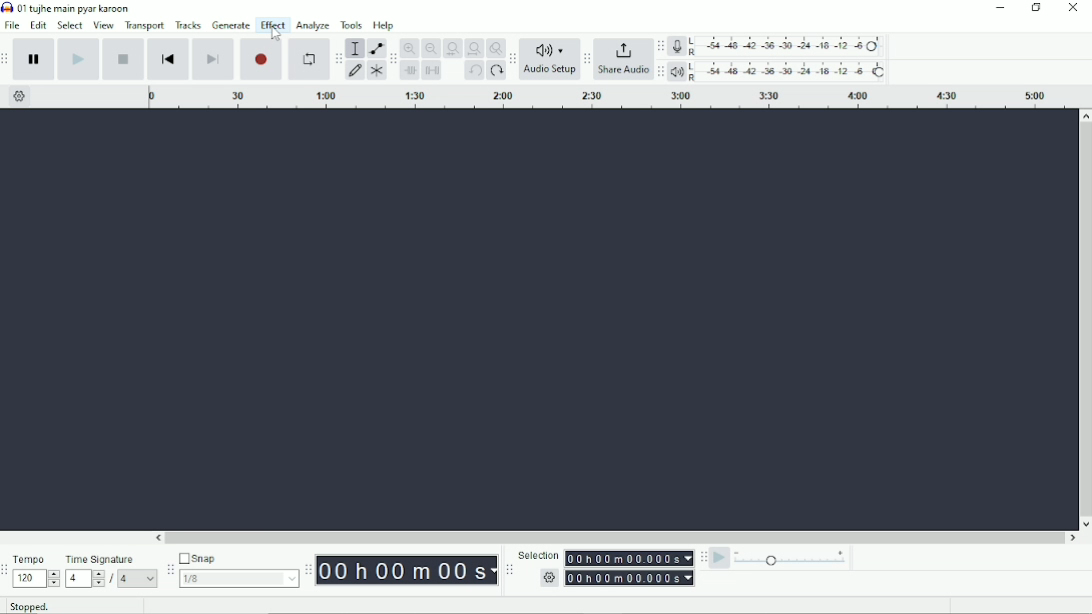 The image size is (1092, 614). What do you see at coordinates (14, 25) in the screenshot?
I see `File` at bounding box center [14, 25].